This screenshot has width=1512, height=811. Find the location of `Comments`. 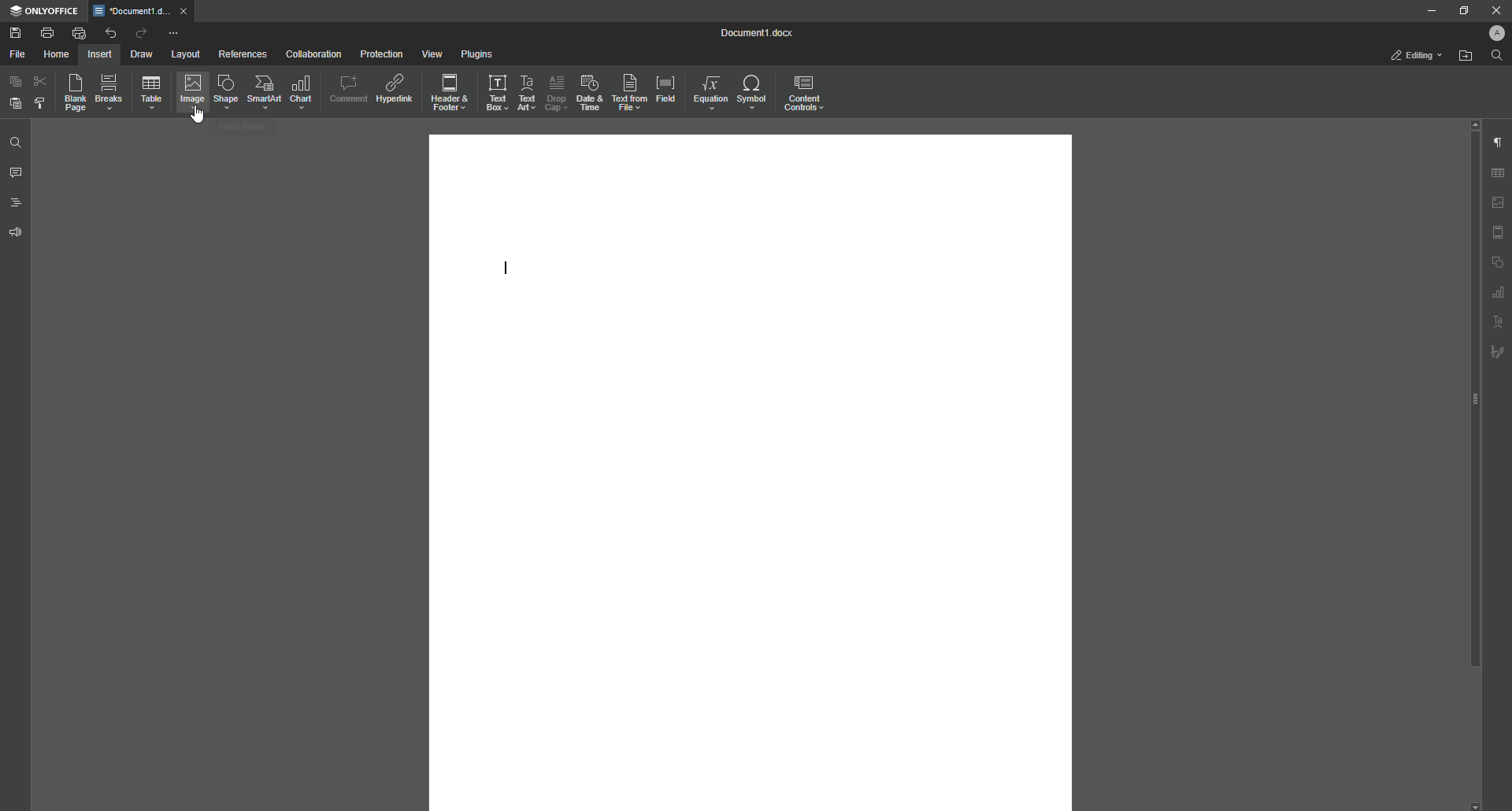

Comments is located at coordinates (17, 172).